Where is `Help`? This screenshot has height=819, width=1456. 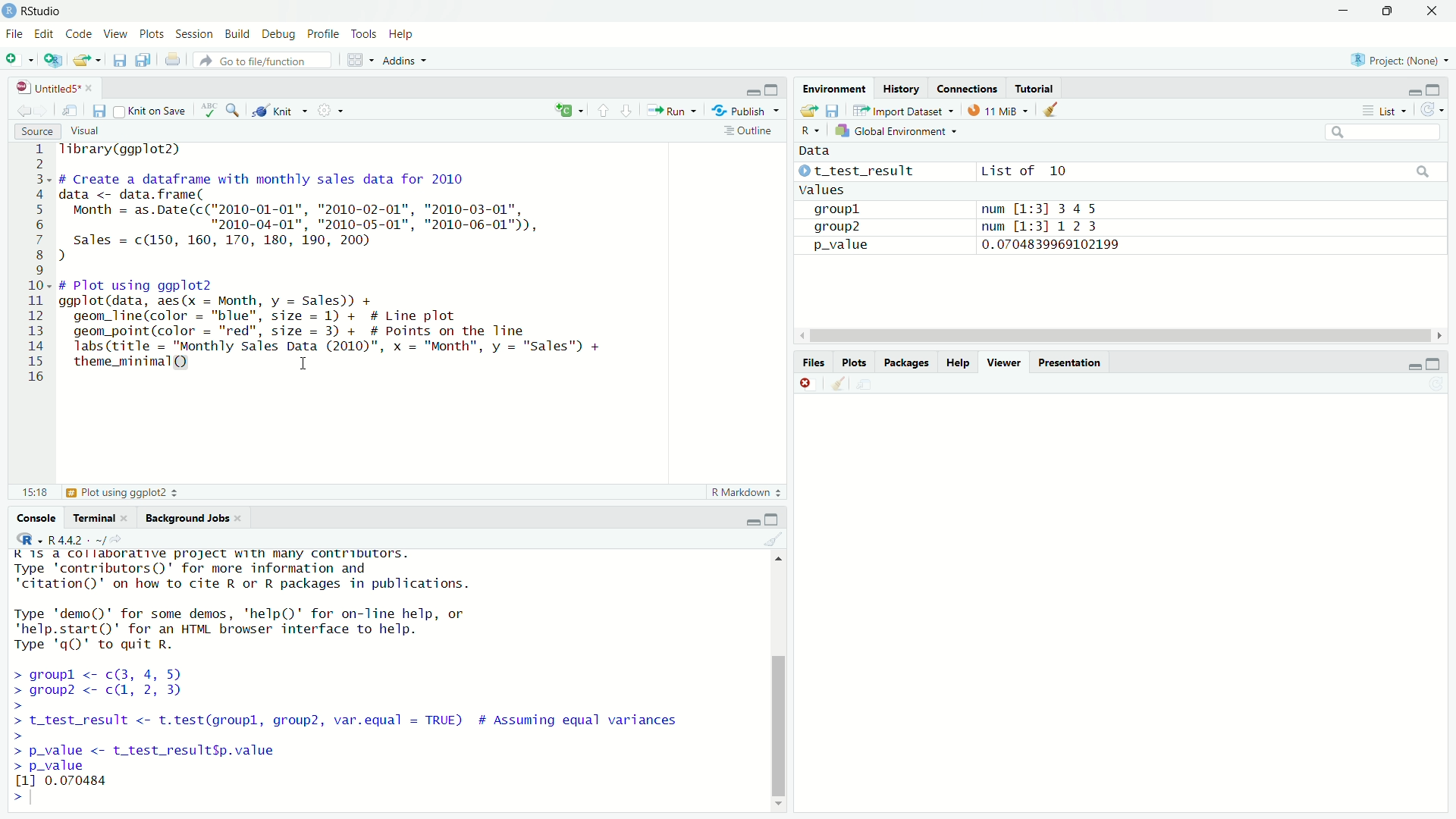
Help is located at coordinates (406, 34).